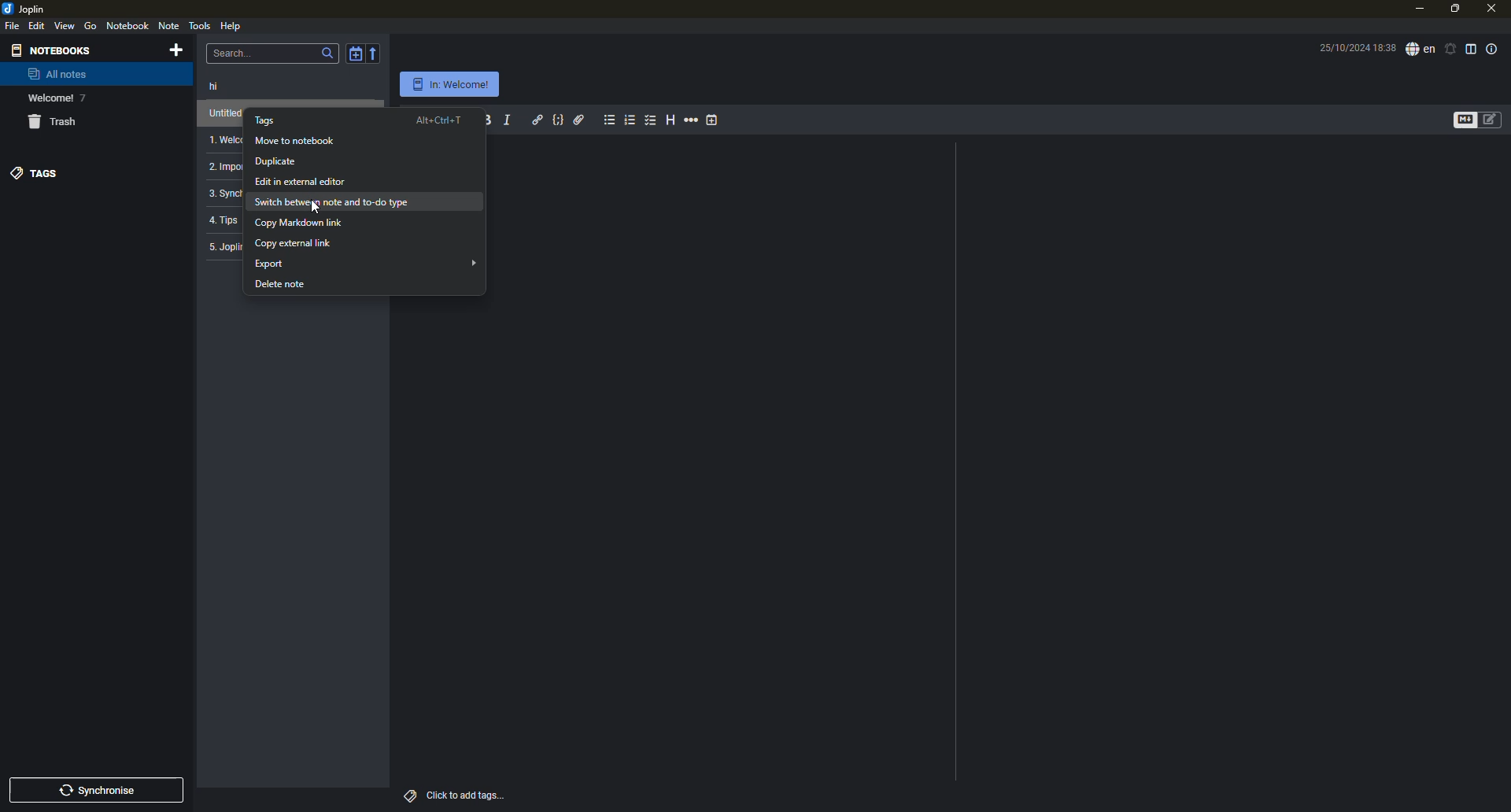 The image size is (1511, 812). Describe the element at coordinates (651, 120) in the screenshot. I see `checkbox` at that location.